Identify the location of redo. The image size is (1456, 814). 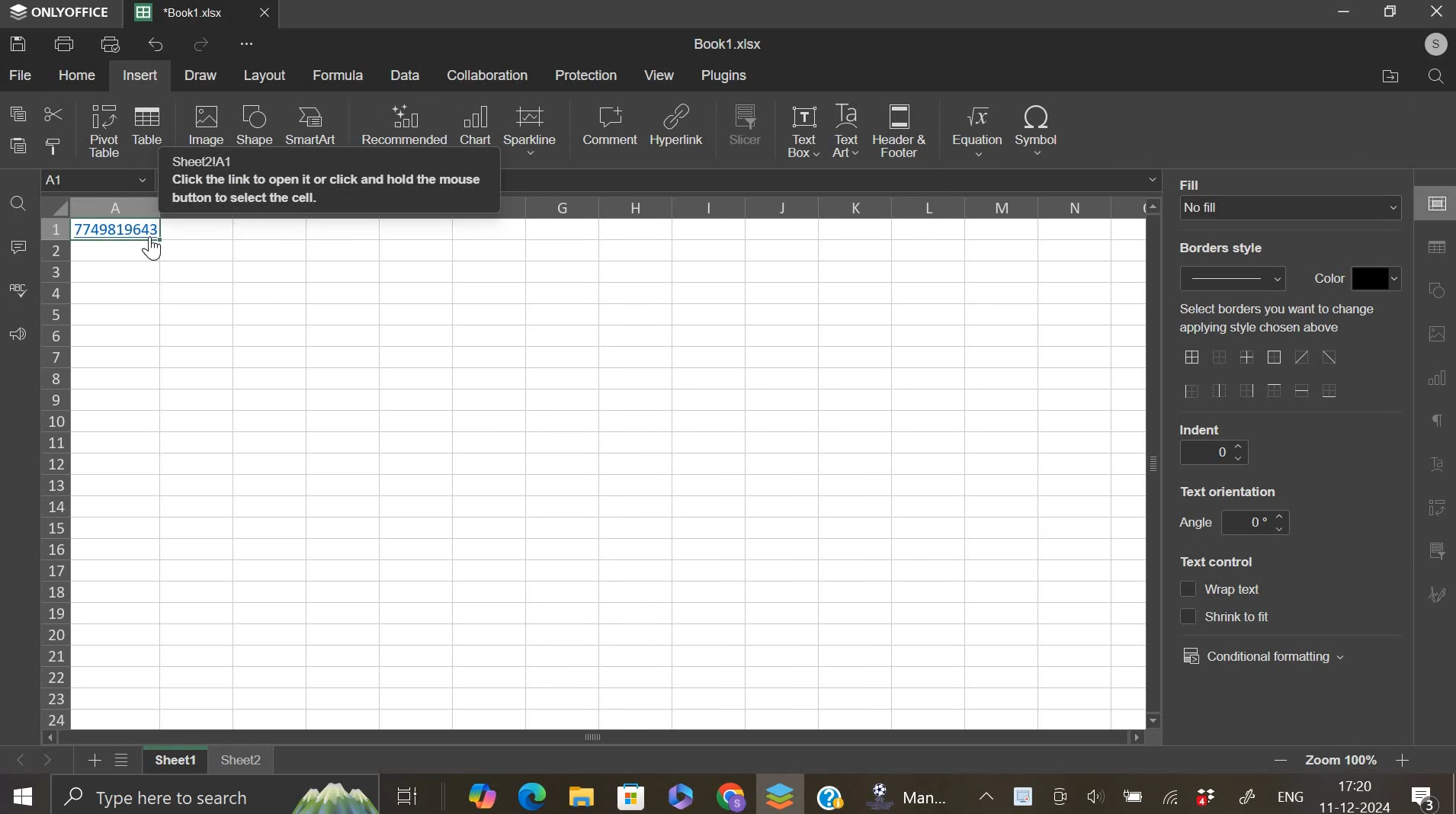
(201, 46).